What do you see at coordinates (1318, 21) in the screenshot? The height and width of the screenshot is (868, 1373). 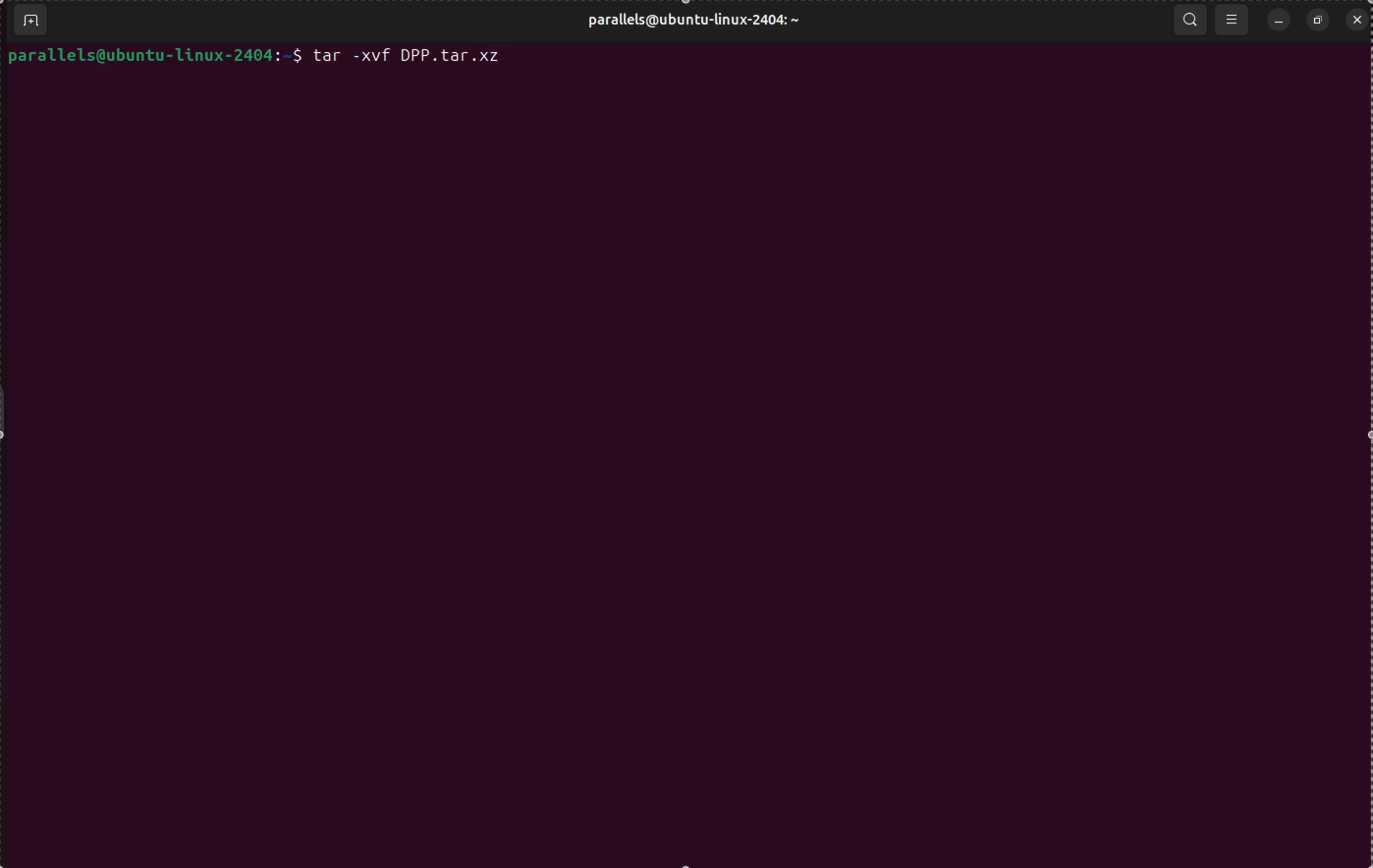 I see `resize` at bounding box center [1318, 21].